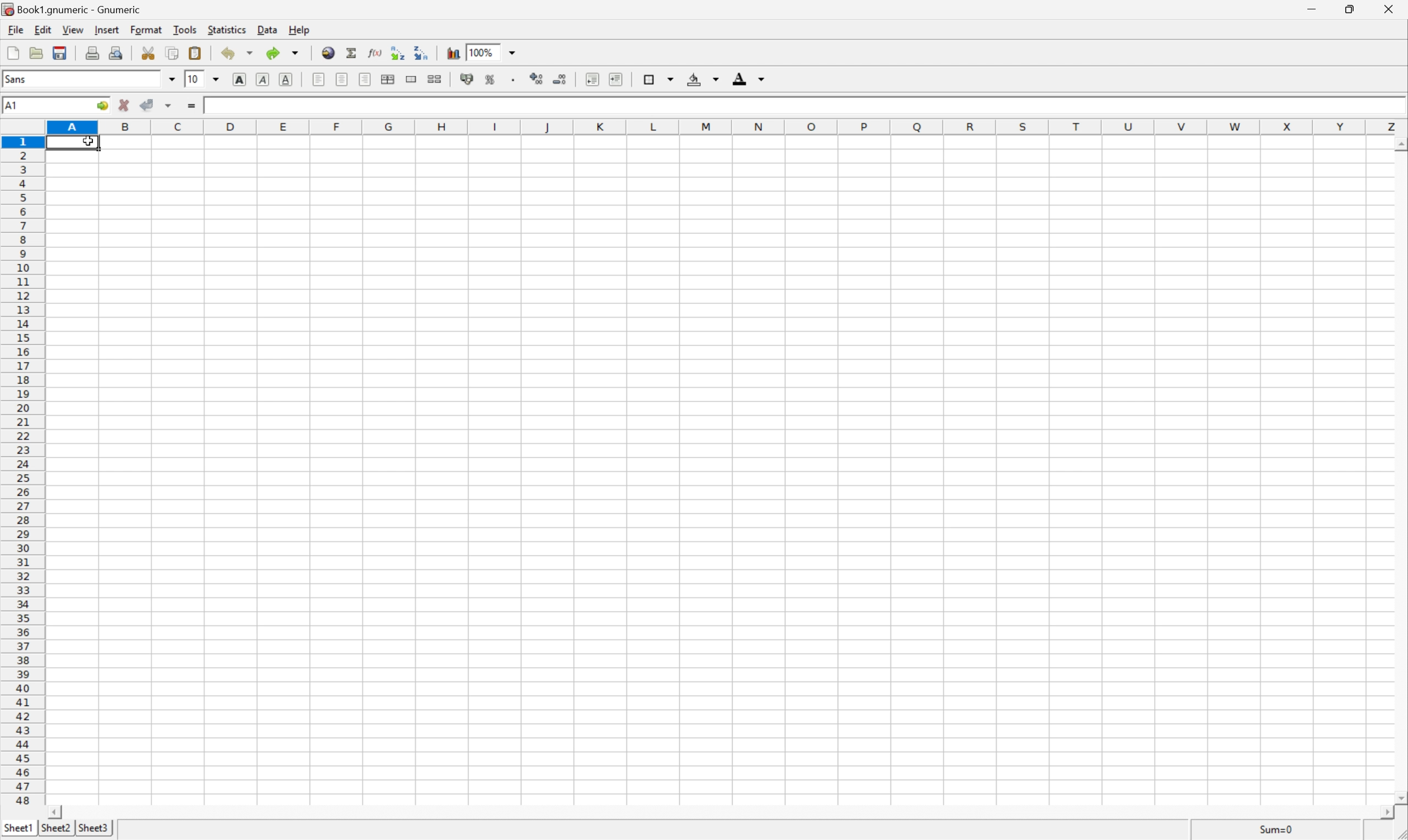  I want to click on split merged ranges of cells, so click(435, 78).